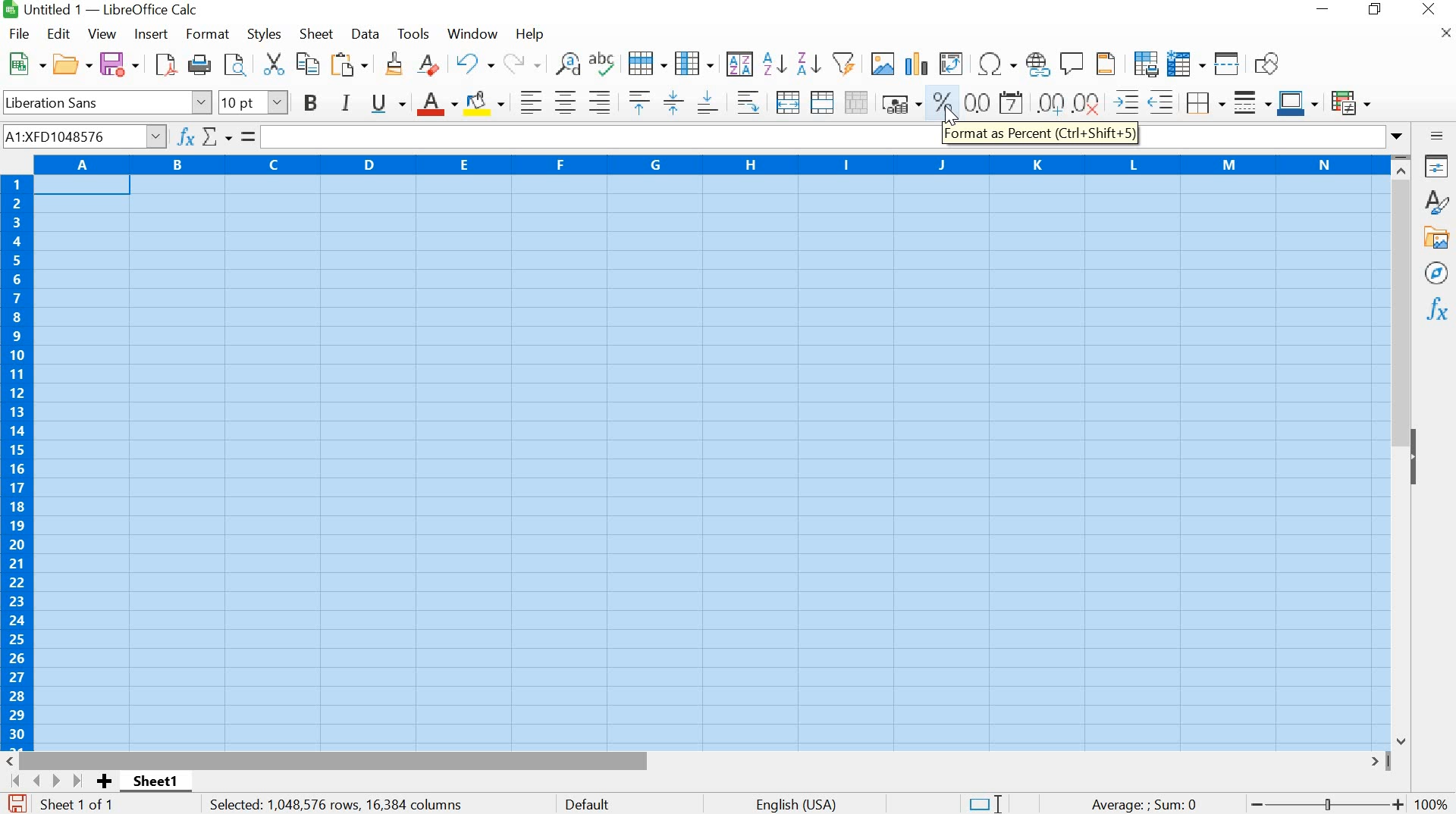 This screenshot has height=814, width=1456. Describe the element at coordinates (591, 803) in the screenshot. I see `DEFAULT` at that location.